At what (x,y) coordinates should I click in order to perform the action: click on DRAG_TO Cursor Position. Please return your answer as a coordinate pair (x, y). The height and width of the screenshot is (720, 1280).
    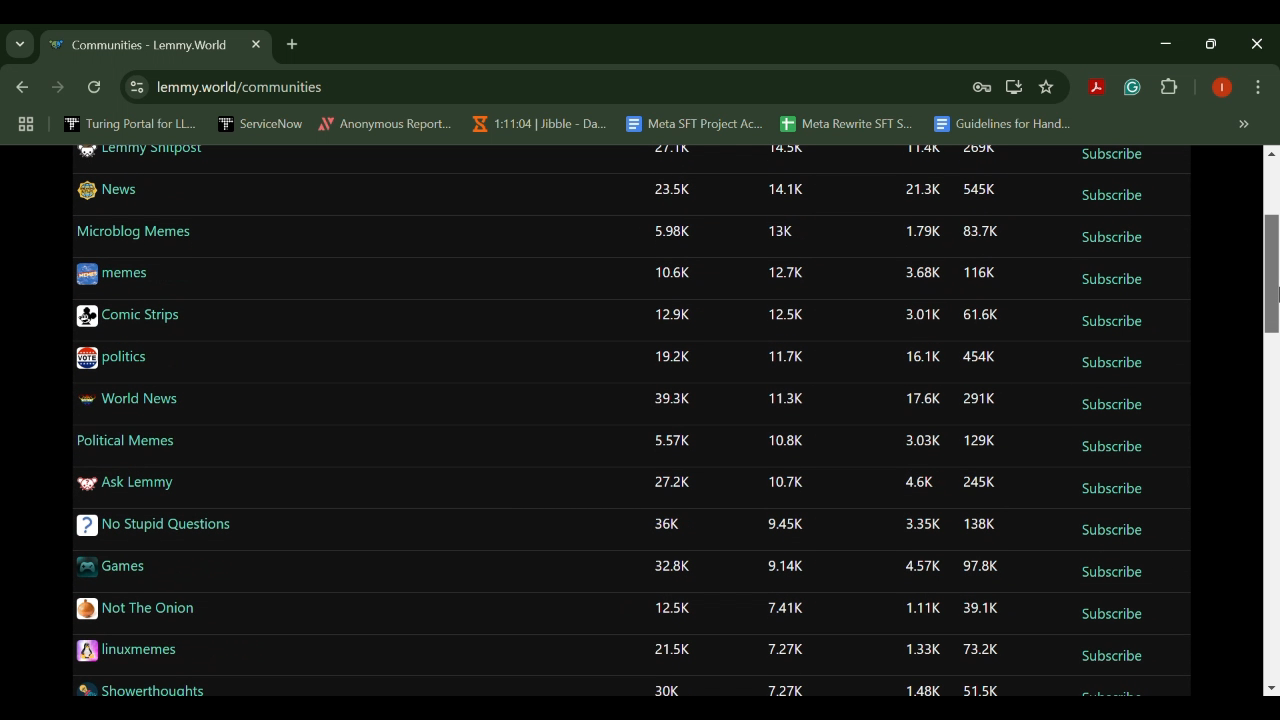
    Looking at the image, I should click on (1272, 288).